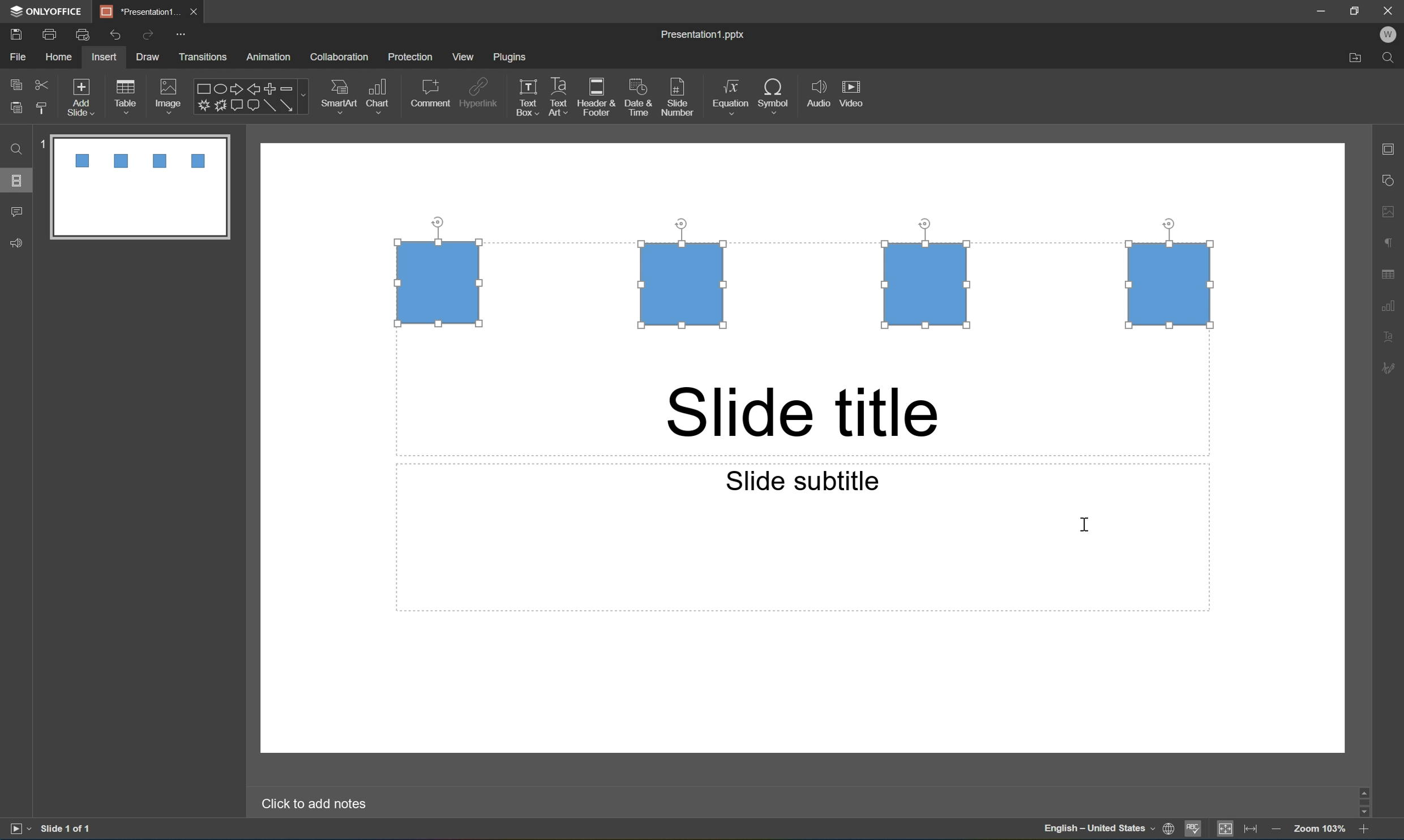  I want to click on chart, so click(381, 93).